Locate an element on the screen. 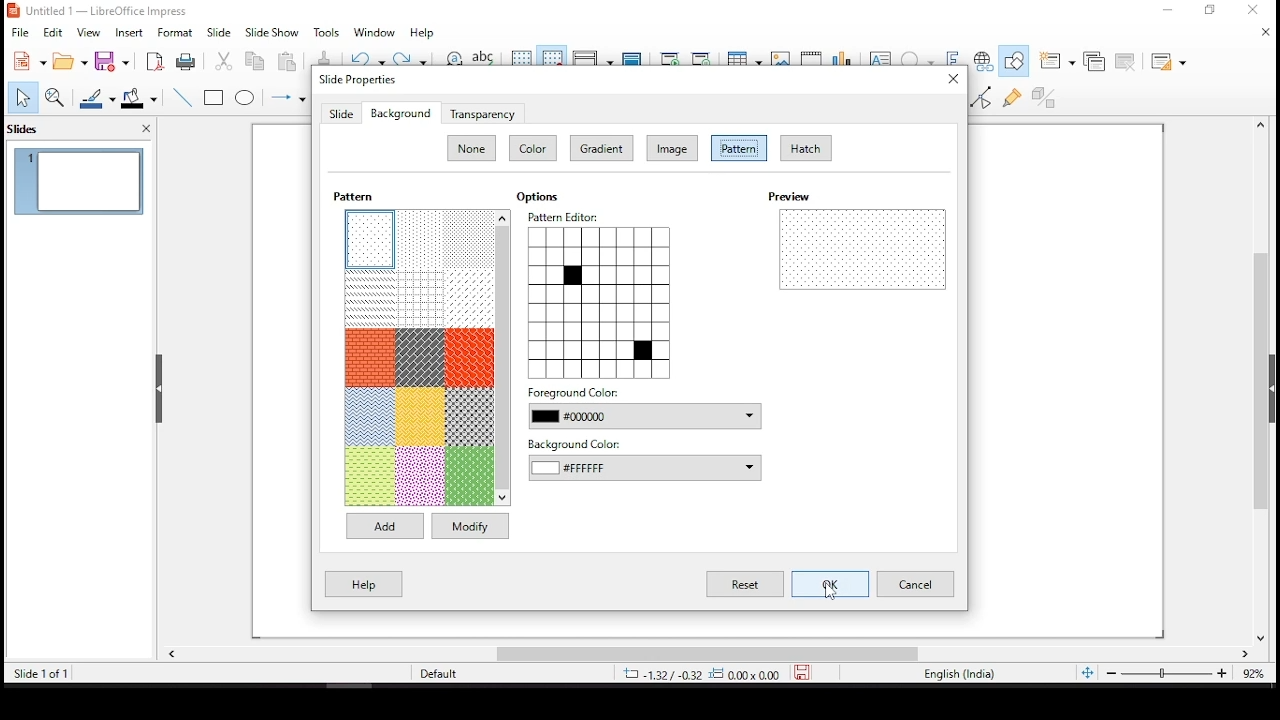 The width and height of the screenshot is (1280, 720). insert special characters is located at coordinates (918, 56).